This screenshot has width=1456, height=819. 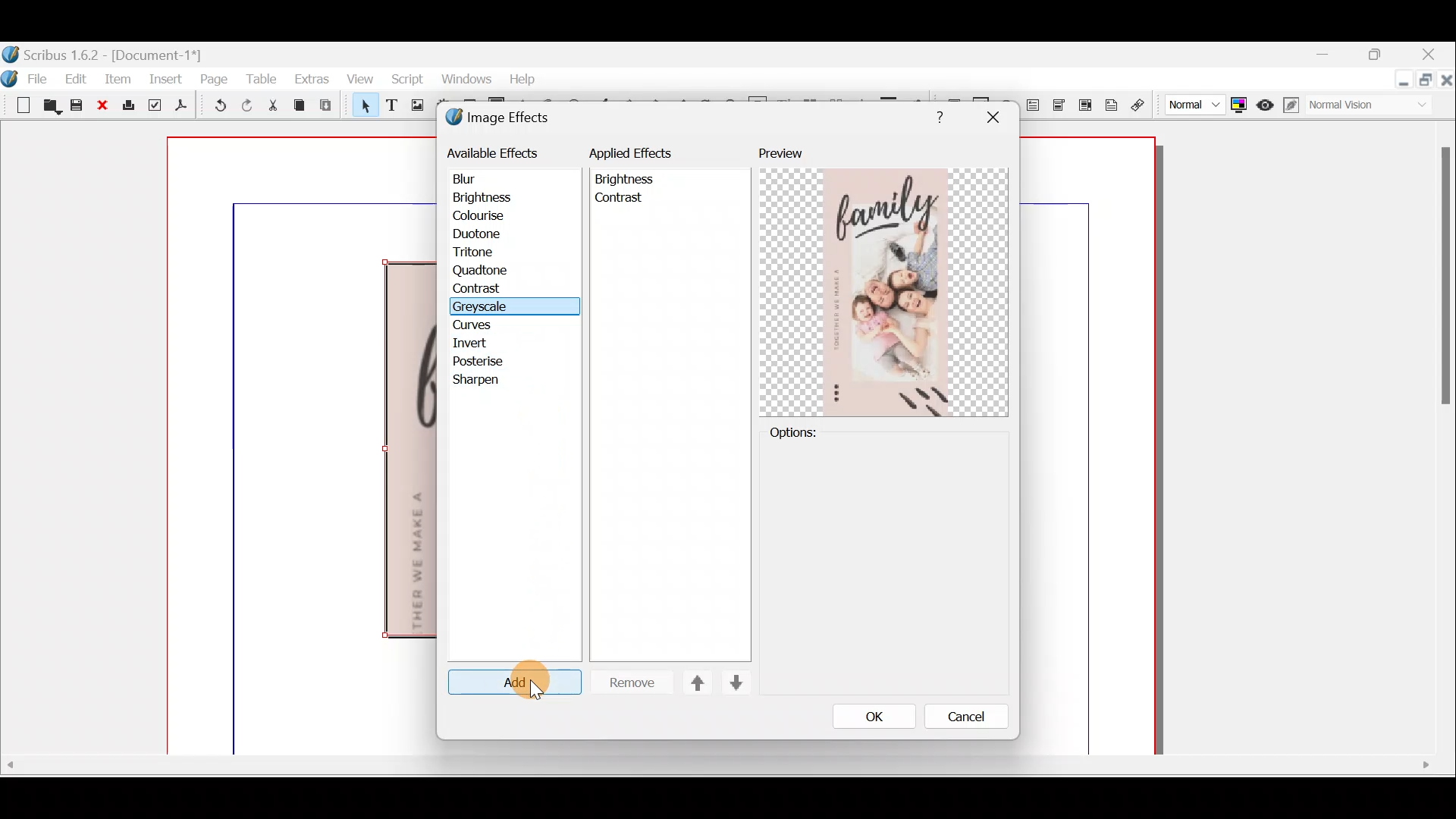 I want to click on Up, so click(x=699, y=684).